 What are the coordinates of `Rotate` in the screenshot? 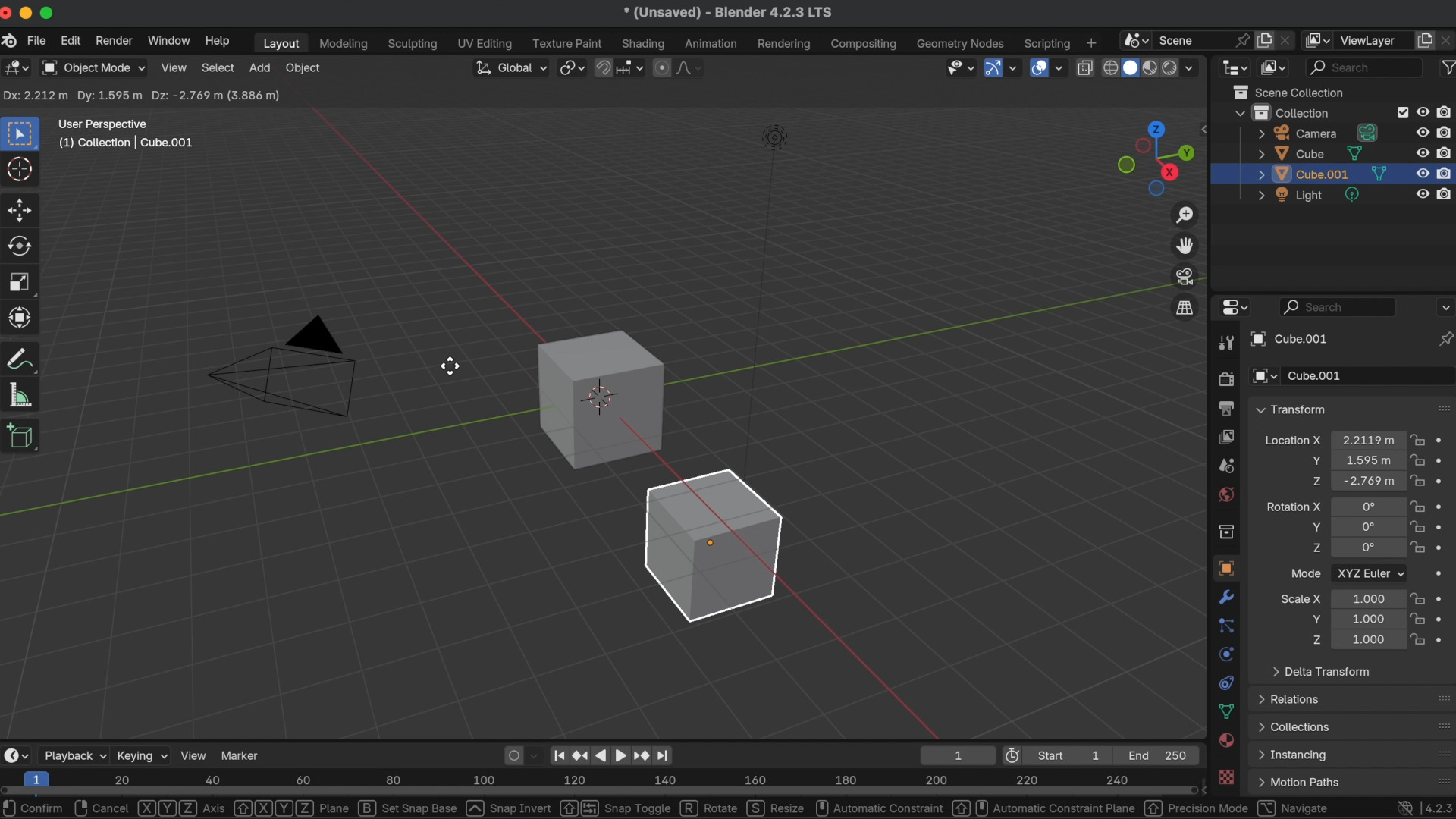 It's located at (710, 808).